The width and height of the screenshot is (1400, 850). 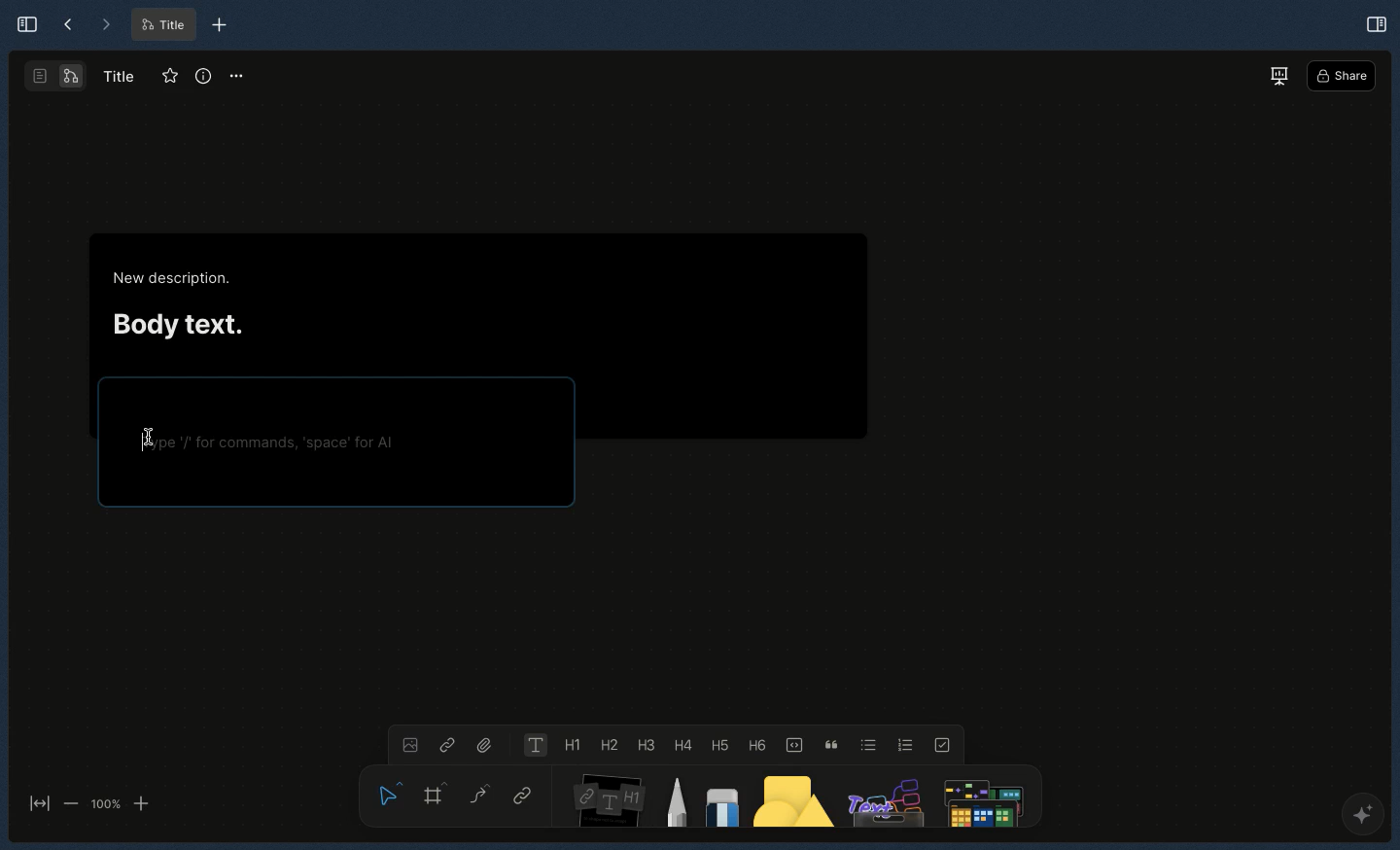 I want to click on Heading 6, so click(x=755, y=744).